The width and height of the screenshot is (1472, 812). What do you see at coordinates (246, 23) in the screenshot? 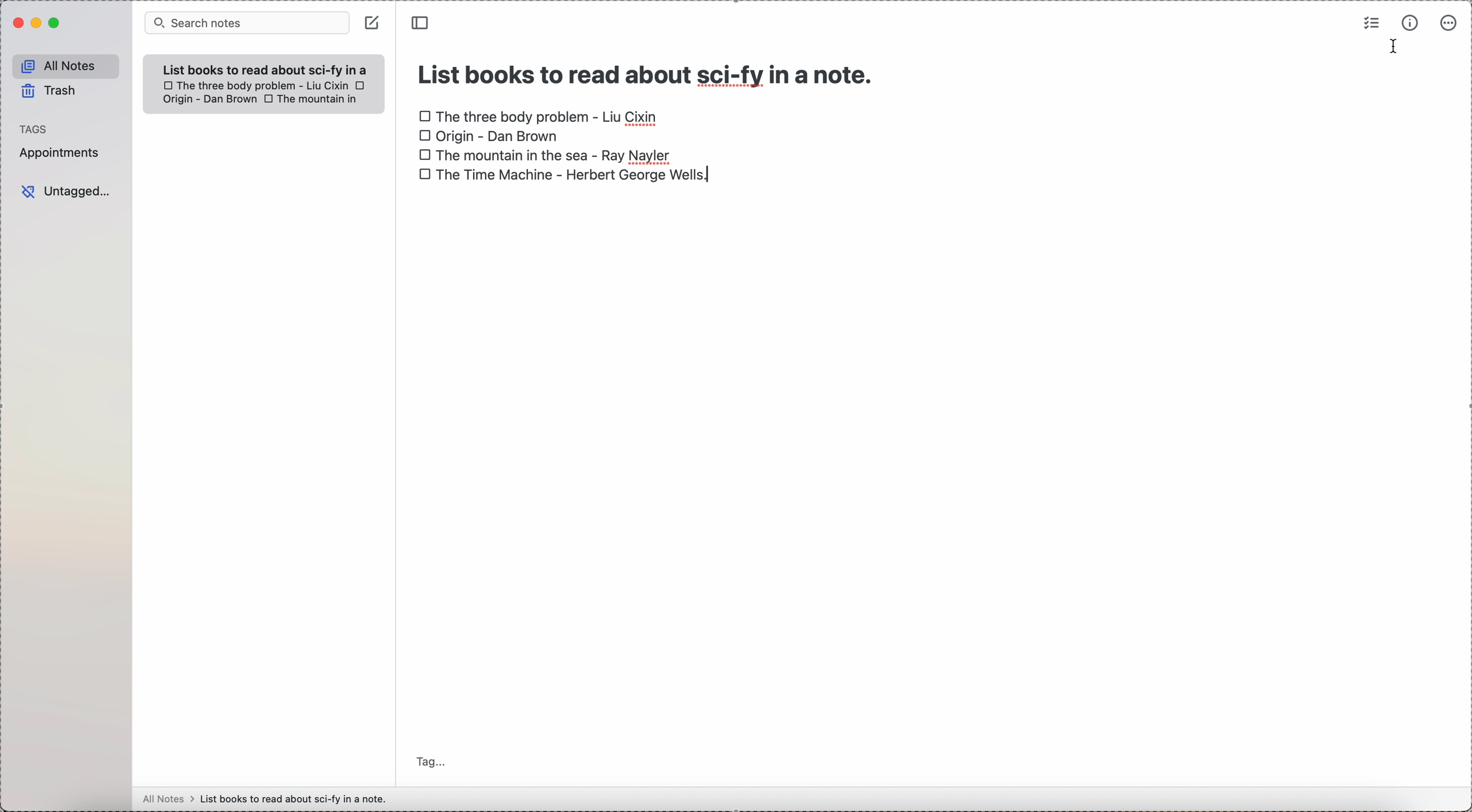
I see `search bar` at bounding box center [246, 23].